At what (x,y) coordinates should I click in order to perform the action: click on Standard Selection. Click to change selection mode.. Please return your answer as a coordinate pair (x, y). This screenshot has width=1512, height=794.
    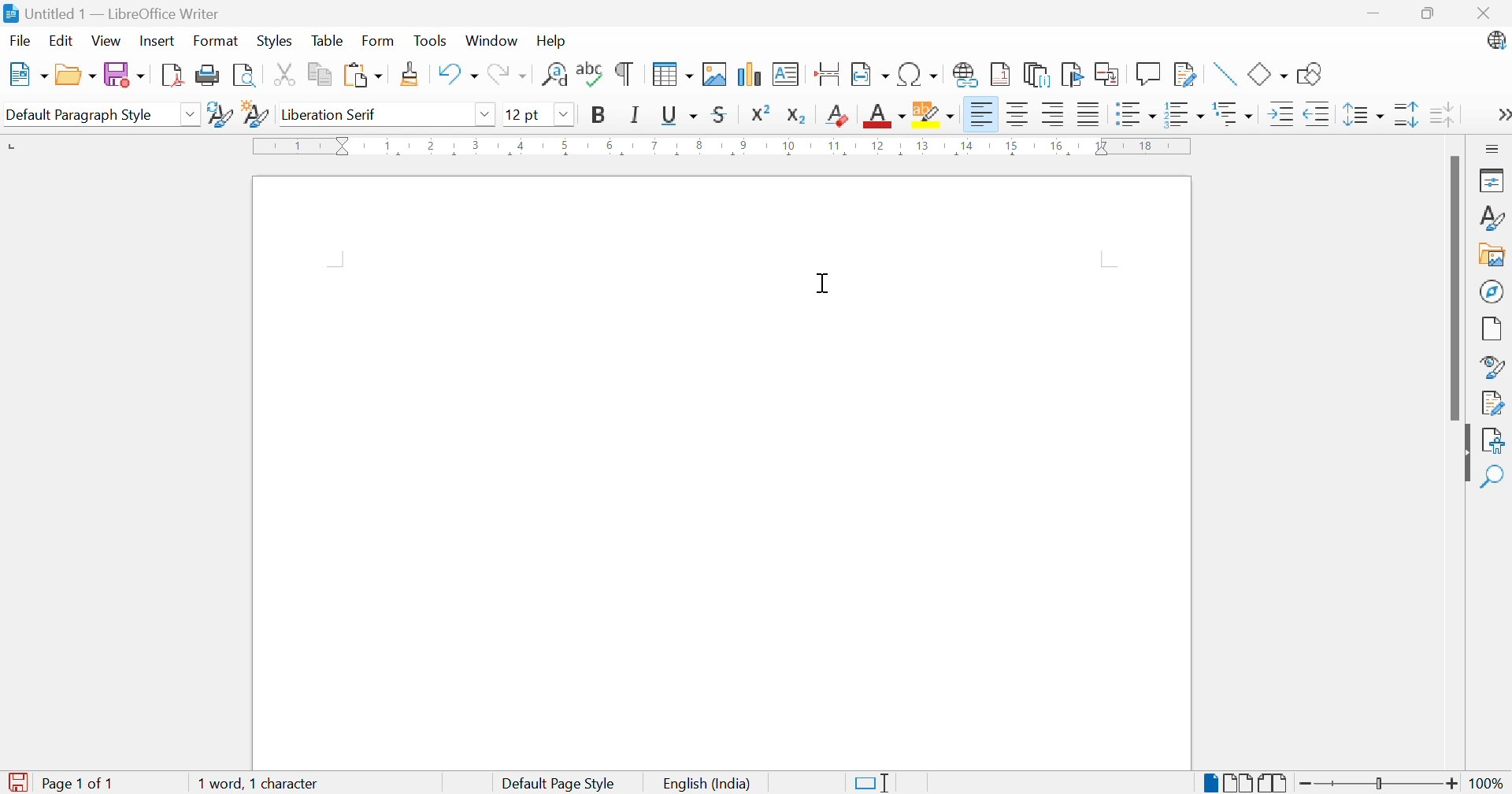
    Looking at the image, I should click on (875, 783).